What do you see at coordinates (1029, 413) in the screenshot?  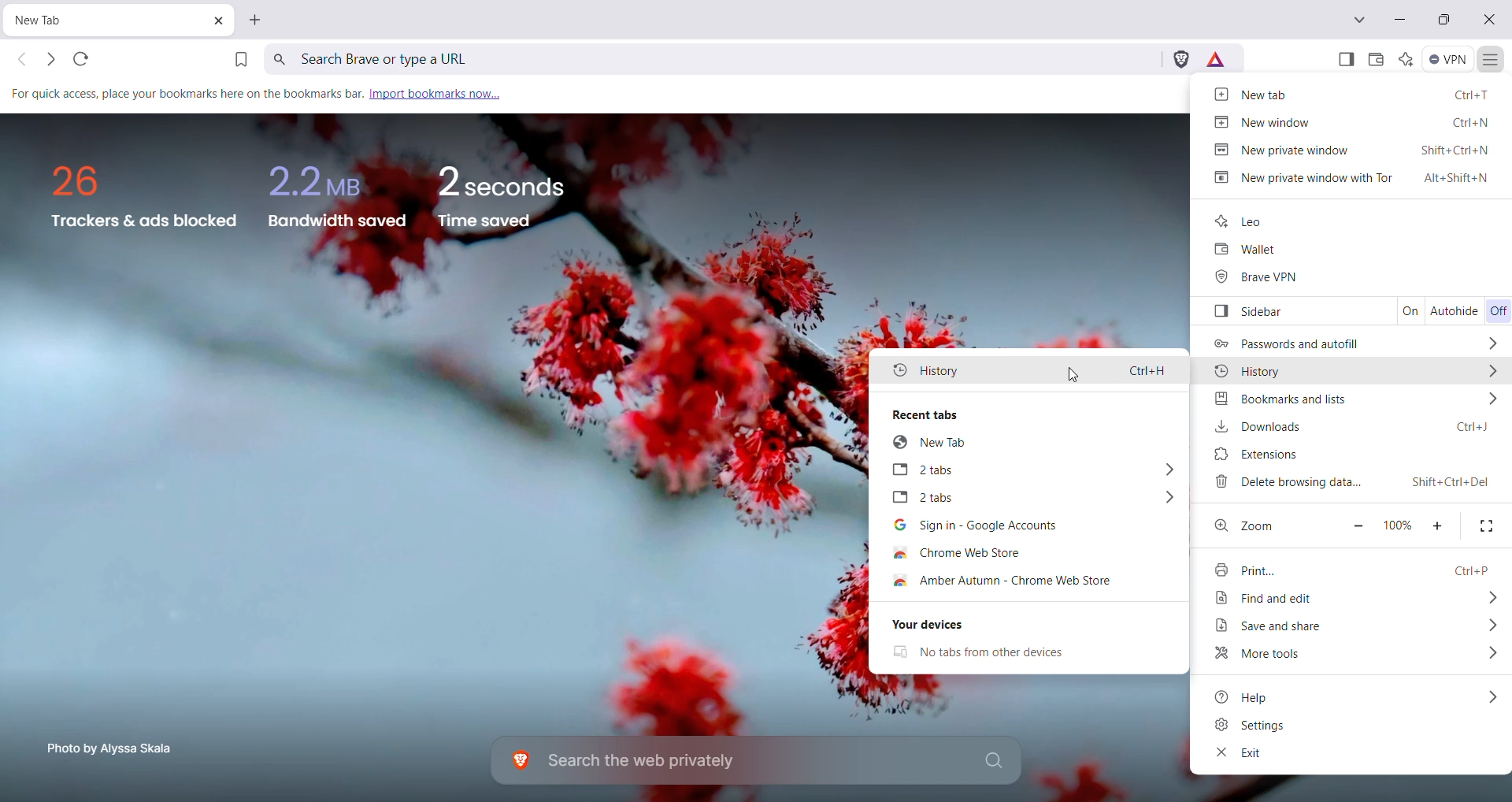 I see `Recent tabs` at bounding box center [1029, 413].